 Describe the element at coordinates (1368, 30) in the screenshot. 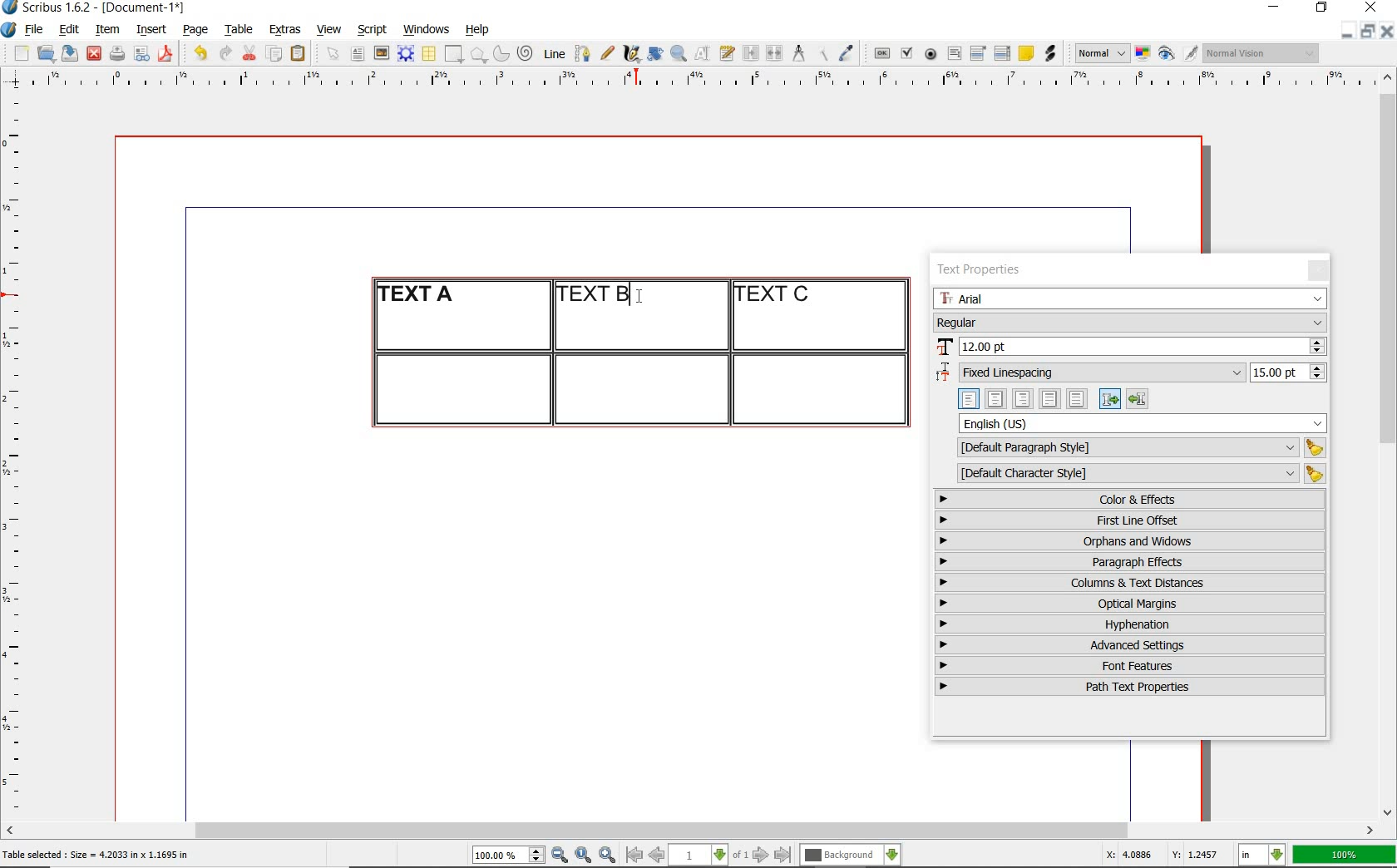

I see `restore` at that location.